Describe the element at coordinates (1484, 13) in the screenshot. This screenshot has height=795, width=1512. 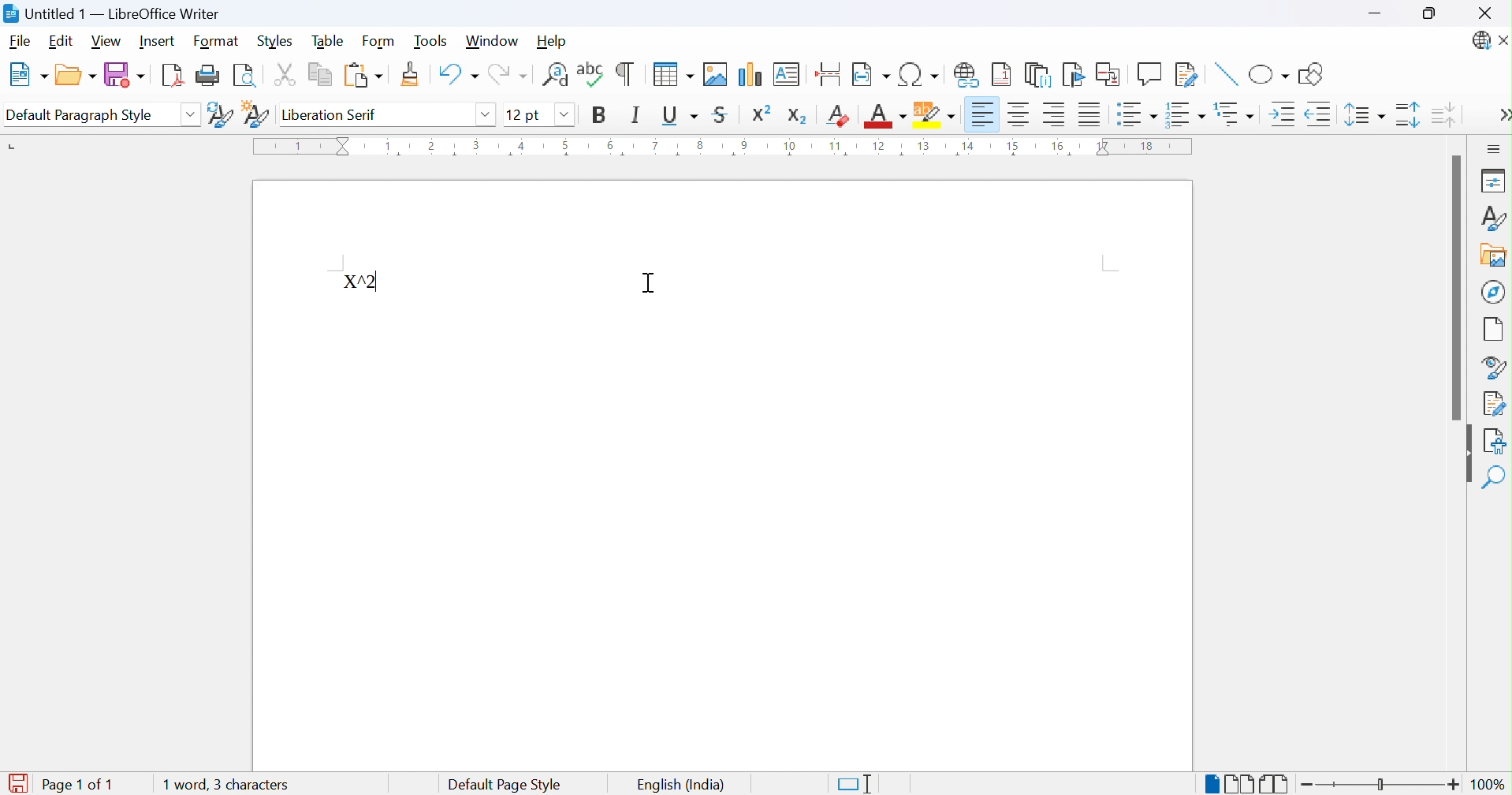
I see `Close` at that location.